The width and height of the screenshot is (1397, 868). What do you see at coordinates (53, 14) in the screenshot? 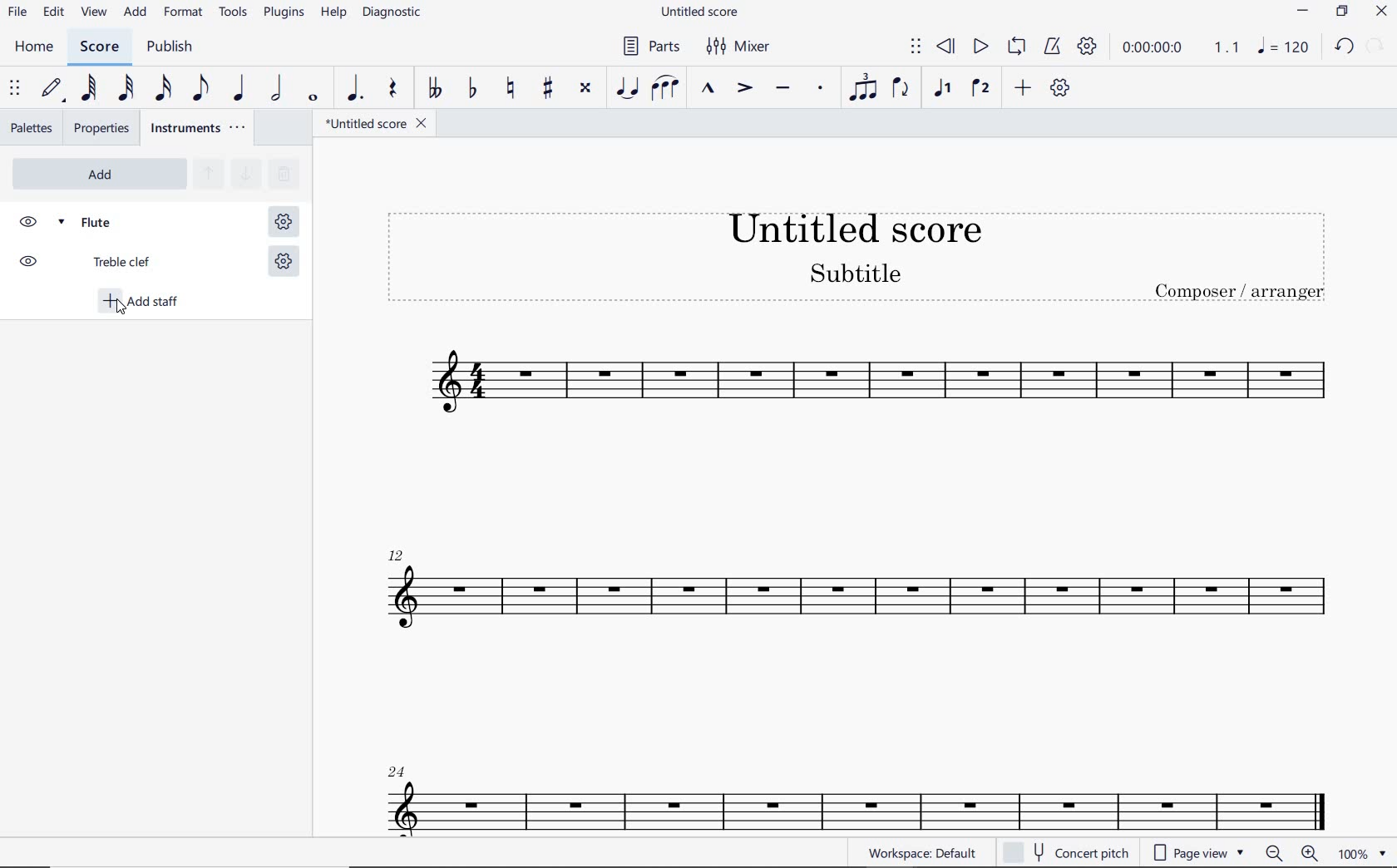
I see `edit` at bounding box center [53, 14].